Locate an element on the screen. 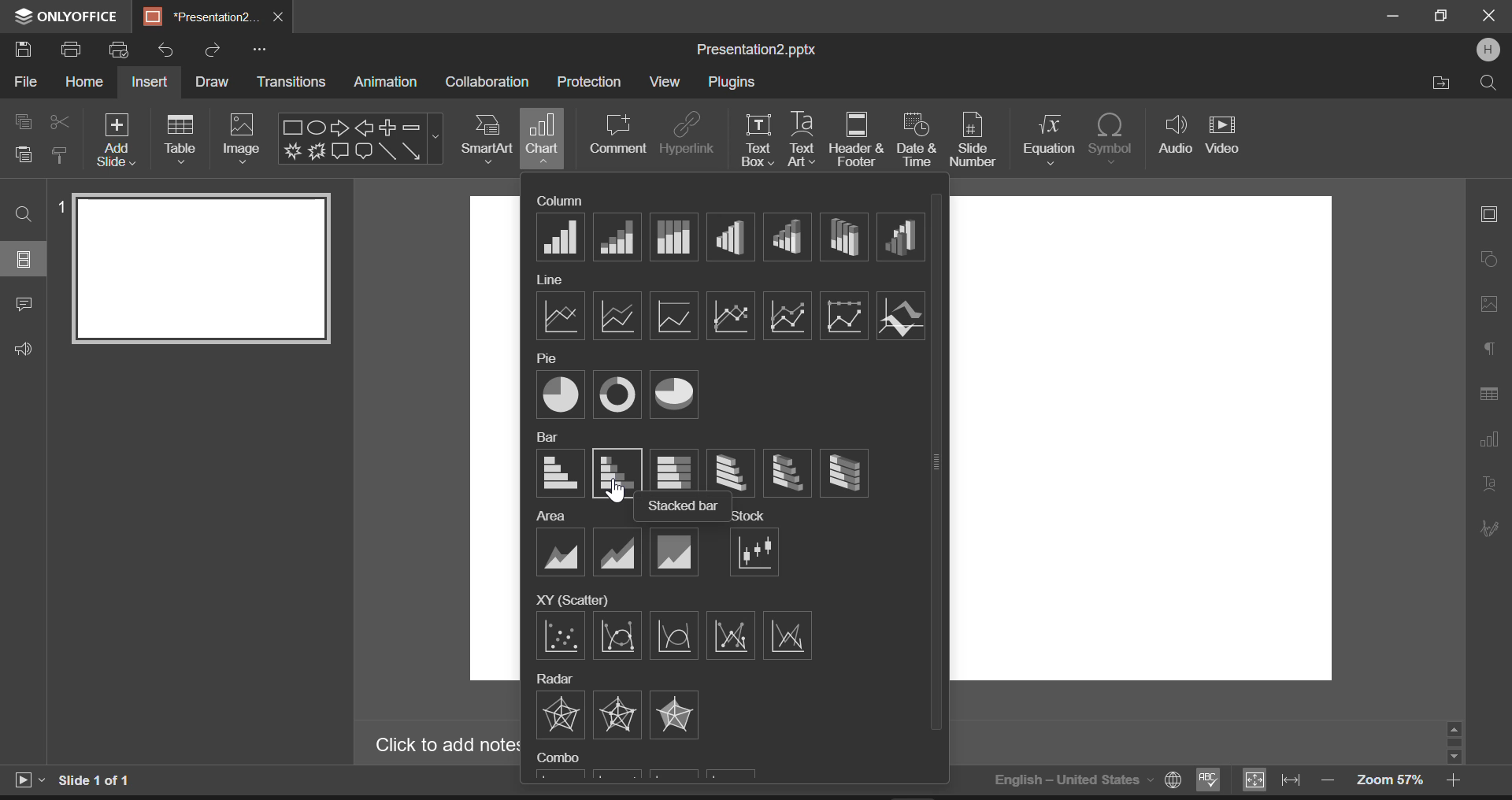 The width and height of the screenshot is (1512, 800). Comment is located at coordinates (614, 135).